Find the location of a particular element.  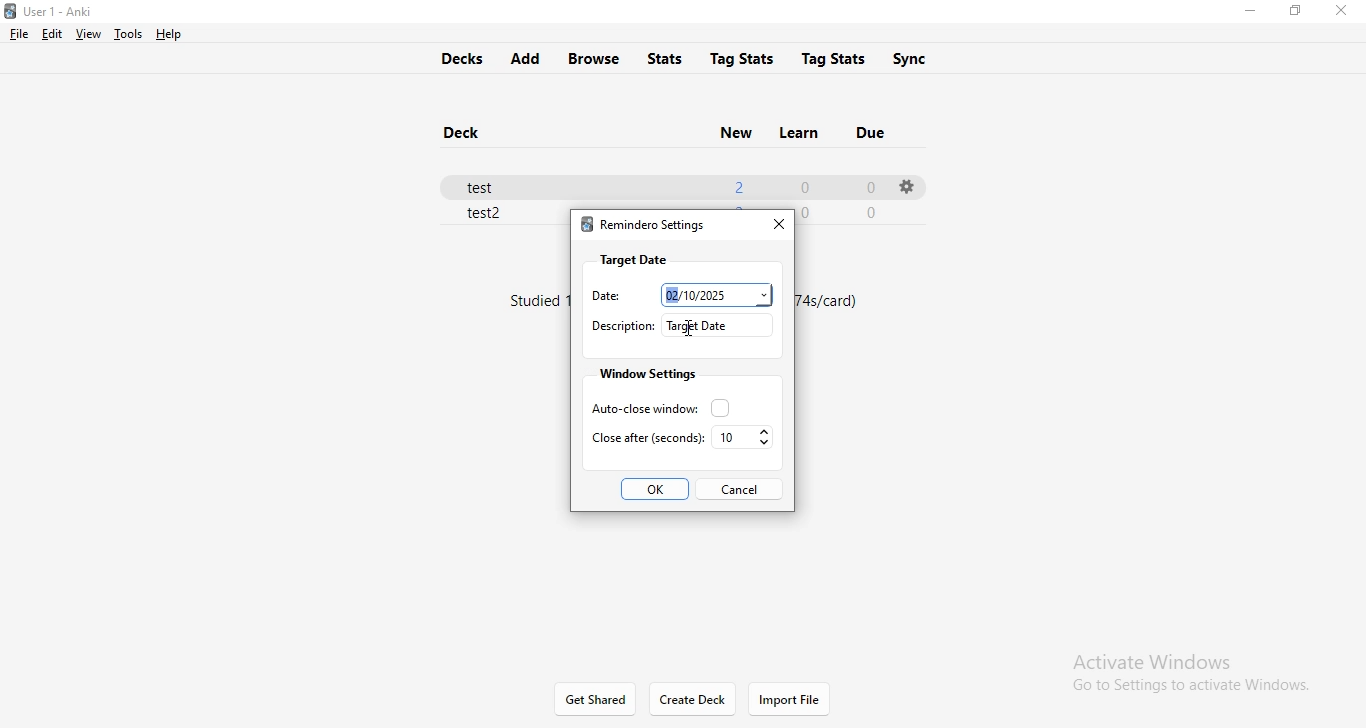

decks is located at coordinates (457, 56).